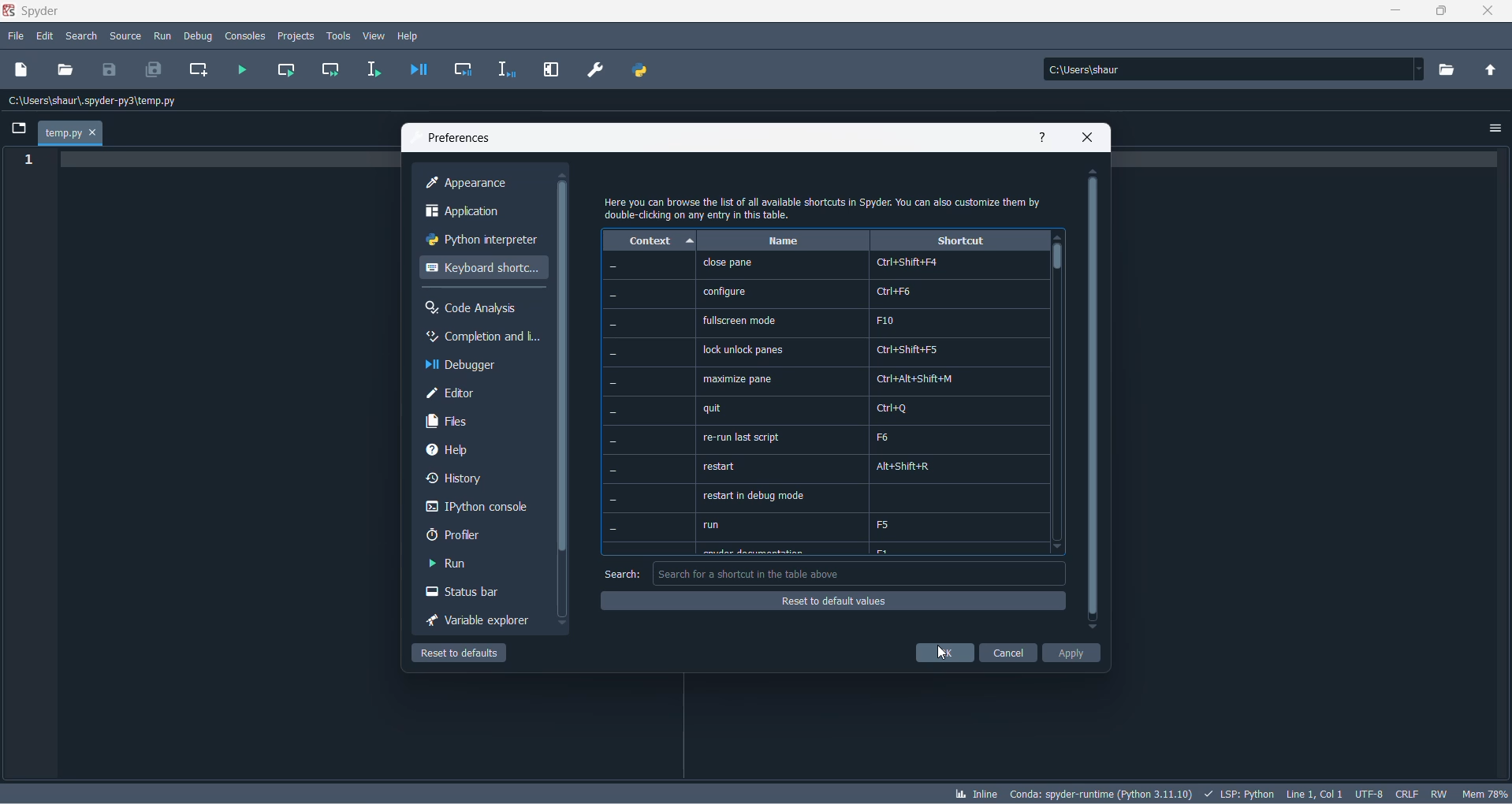  What do you see at coordinates (613, 266) in the screenshot?
I see `-` at bounding box center [613, 266].